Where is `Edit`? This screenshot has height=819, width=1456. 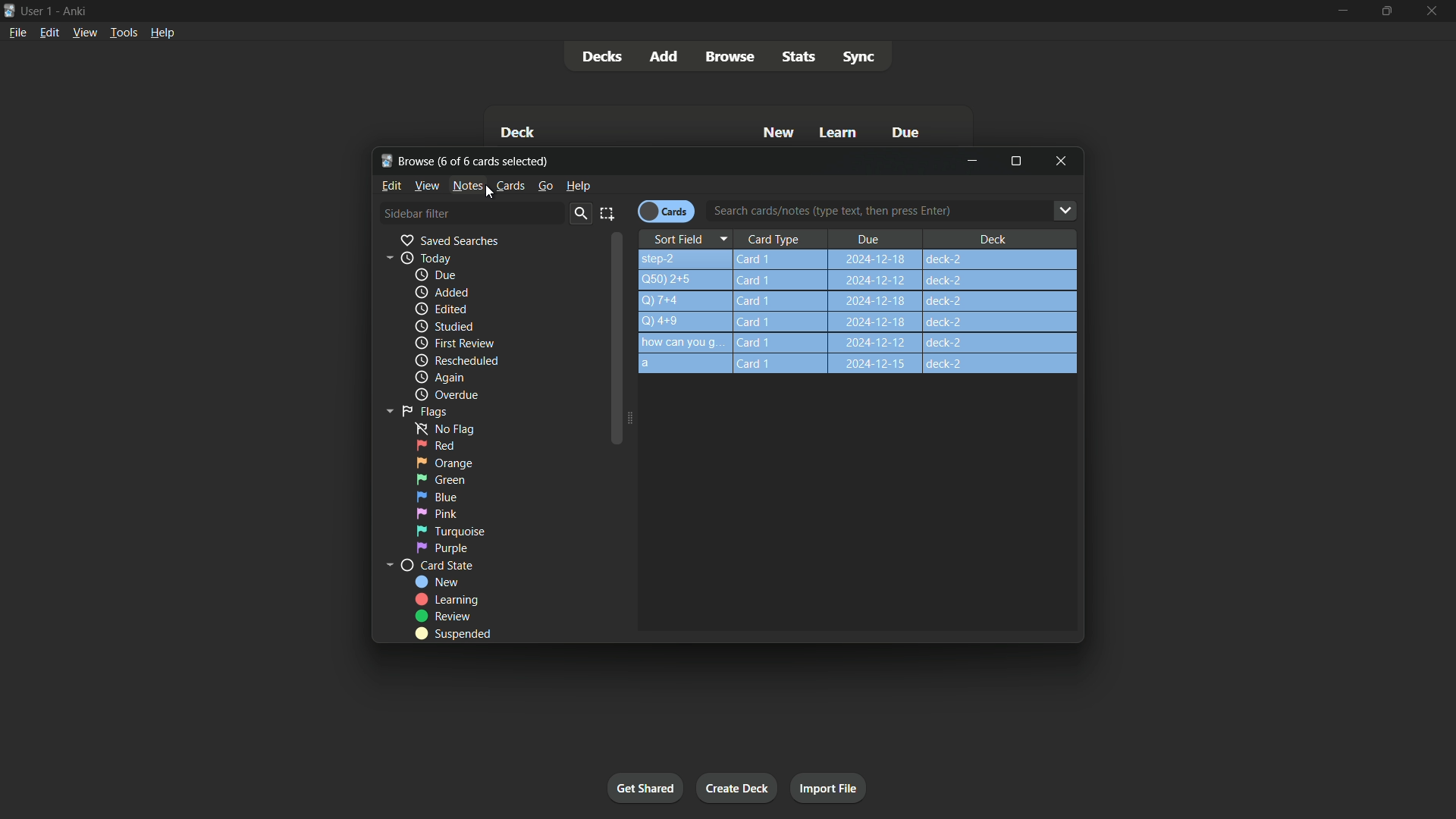
Edit is located at coordinates (392, 185).